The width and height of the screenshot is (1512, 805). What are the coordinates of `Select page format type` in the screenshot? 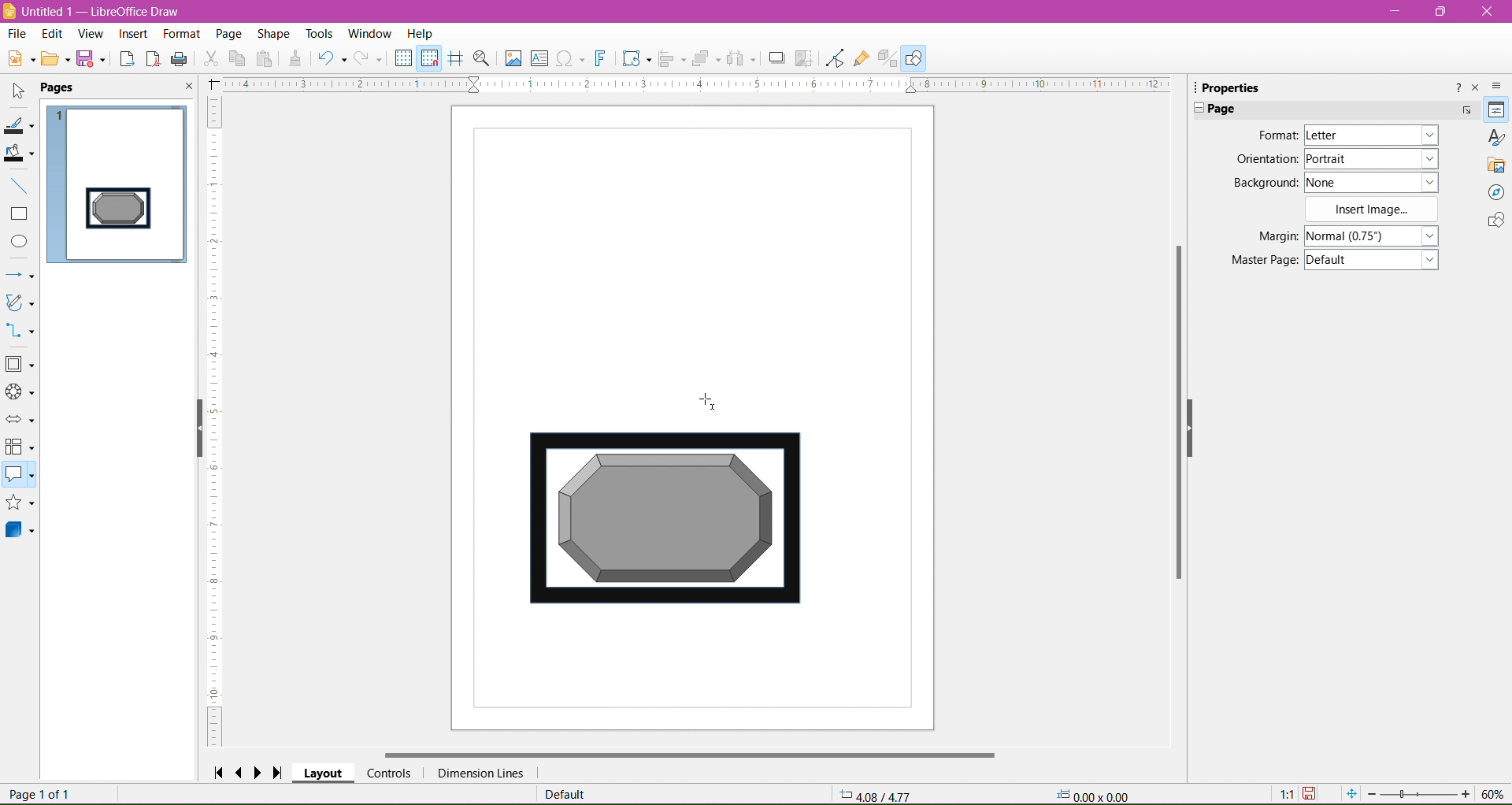 It's located at (1369, 135).